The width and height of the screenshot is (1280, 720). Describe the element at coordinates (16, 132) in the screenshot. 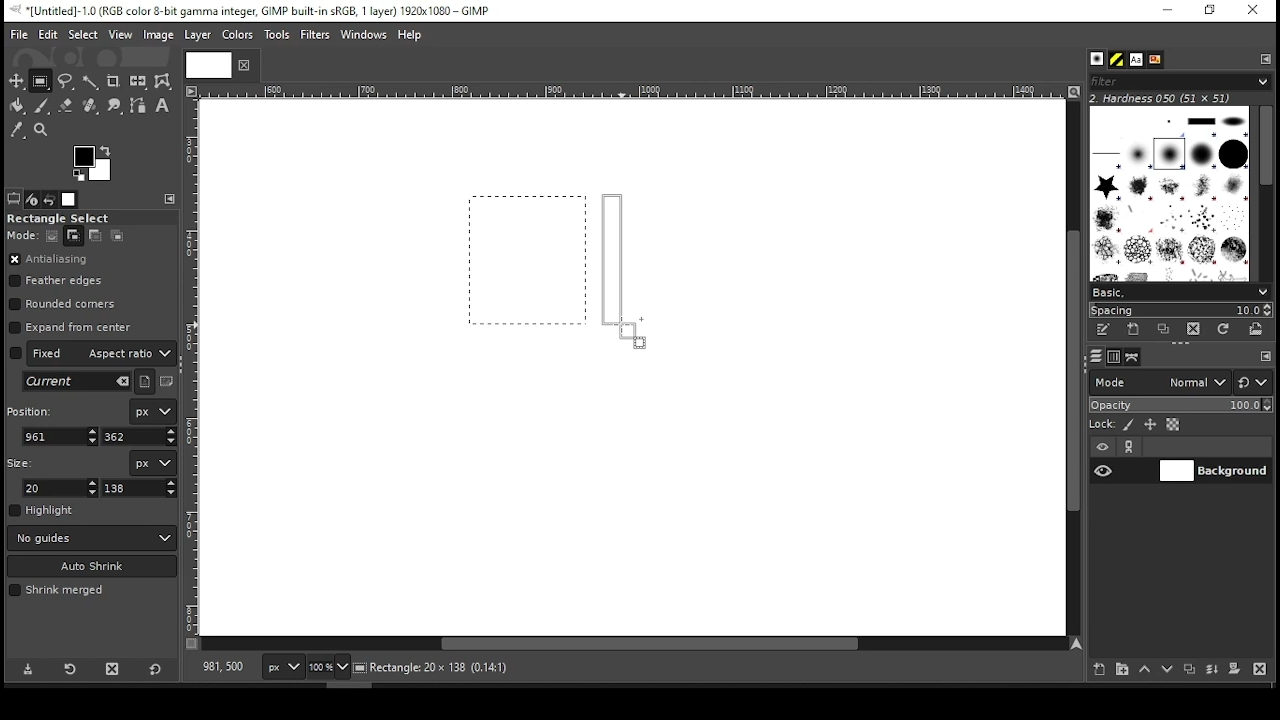

I see `color picker tool` at that location.